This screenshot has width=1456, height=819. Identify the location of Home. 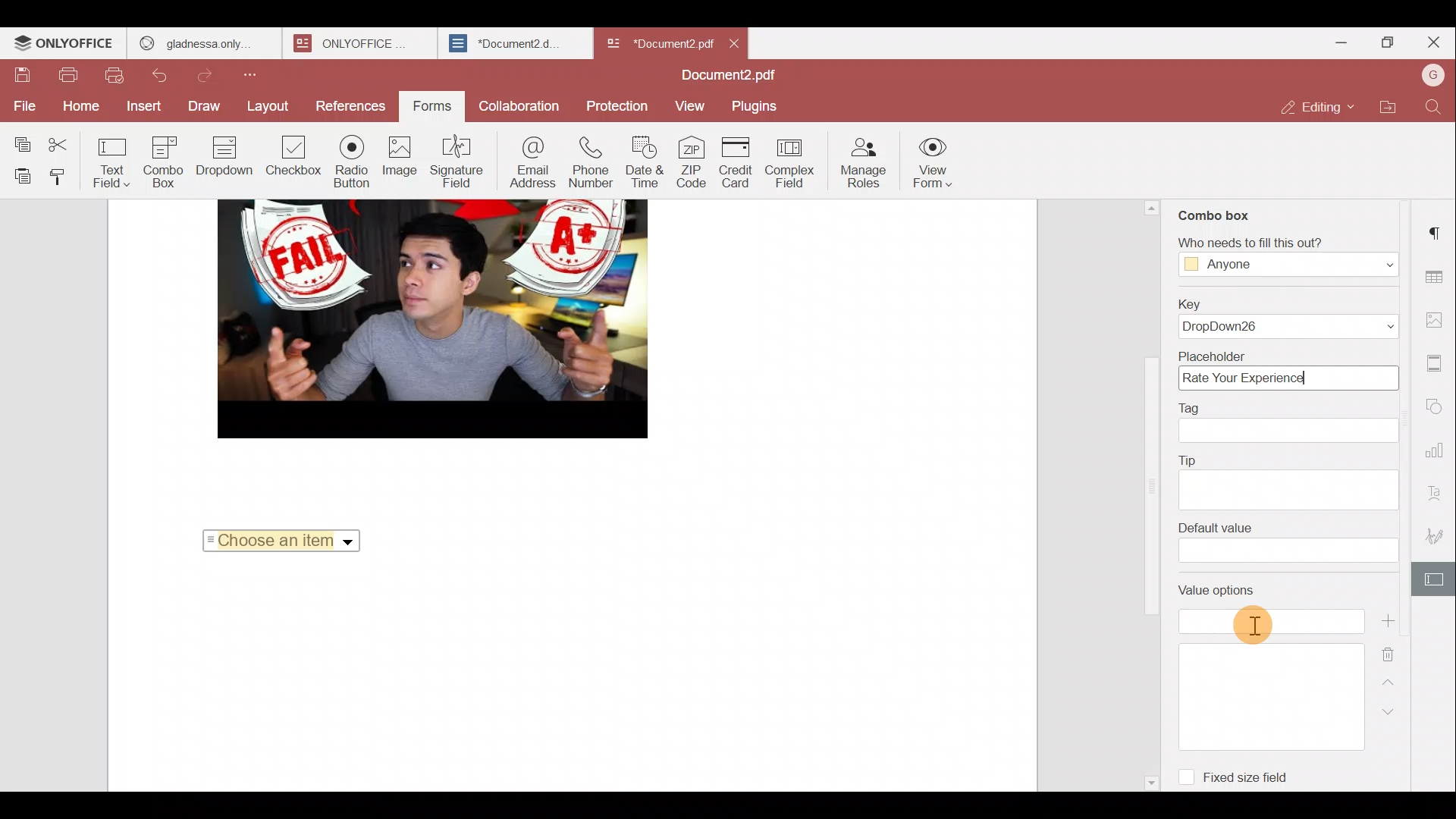
(77, 108).